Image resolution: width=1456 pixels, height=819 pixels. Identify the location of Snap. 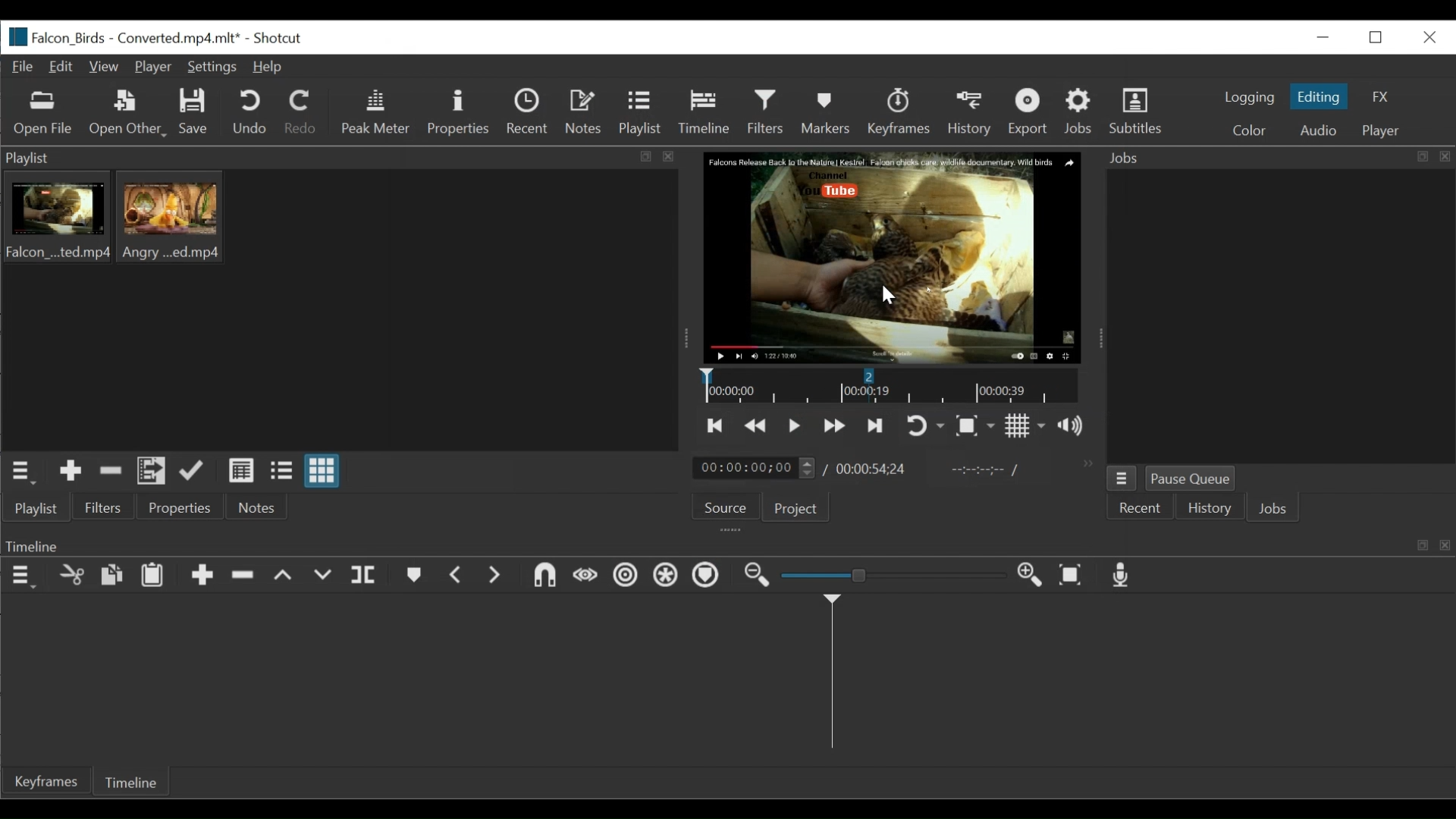
(547, 576).